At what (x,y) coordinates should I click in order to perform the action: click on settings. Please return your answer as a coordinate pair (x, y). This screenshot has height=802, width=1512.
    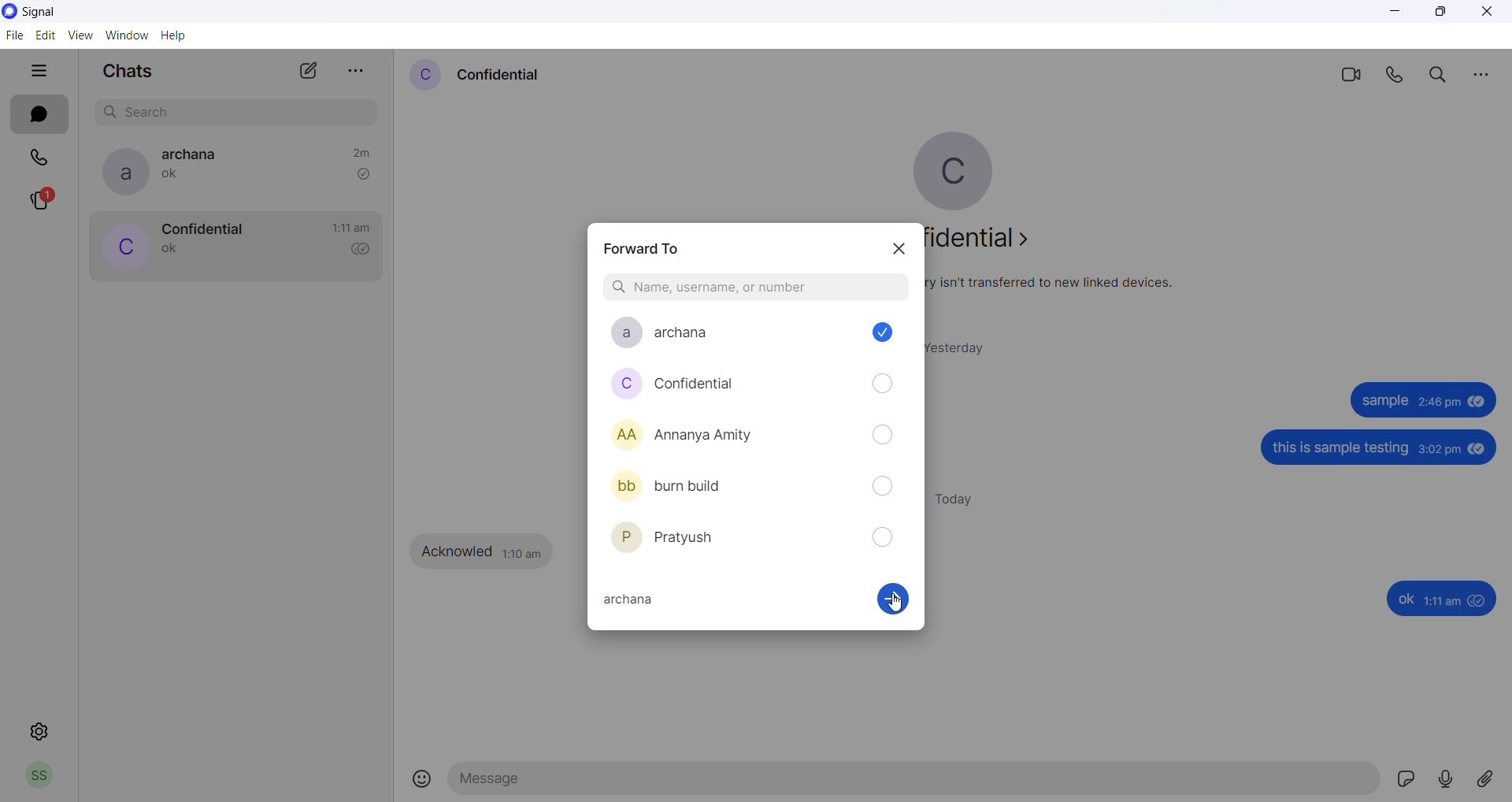
    Looking at the image, I should click on (39, 732).